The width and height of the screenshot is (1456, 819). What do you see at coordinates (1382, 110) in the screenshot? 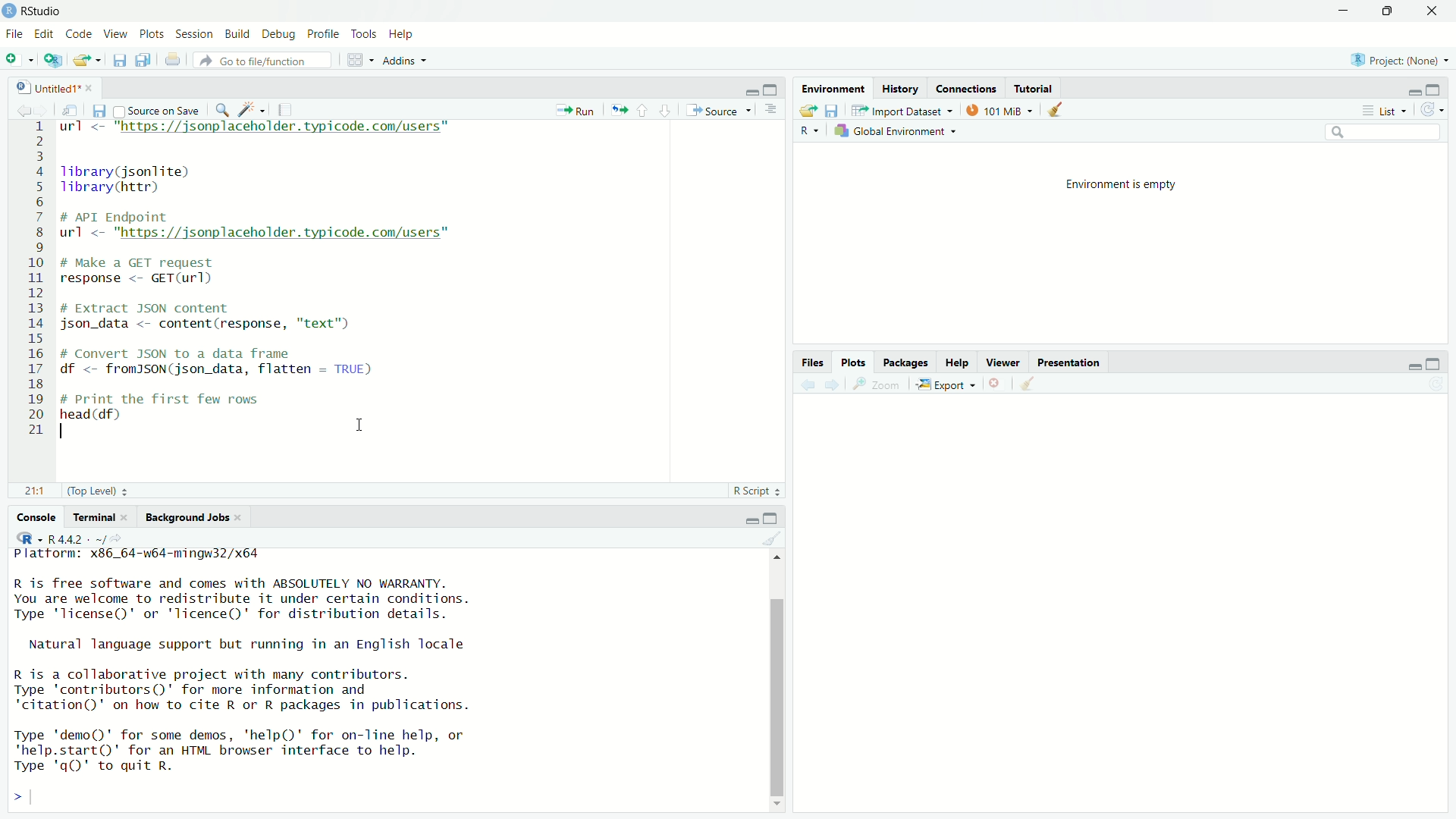
I see `List ` at bounding box center [1382, 110].